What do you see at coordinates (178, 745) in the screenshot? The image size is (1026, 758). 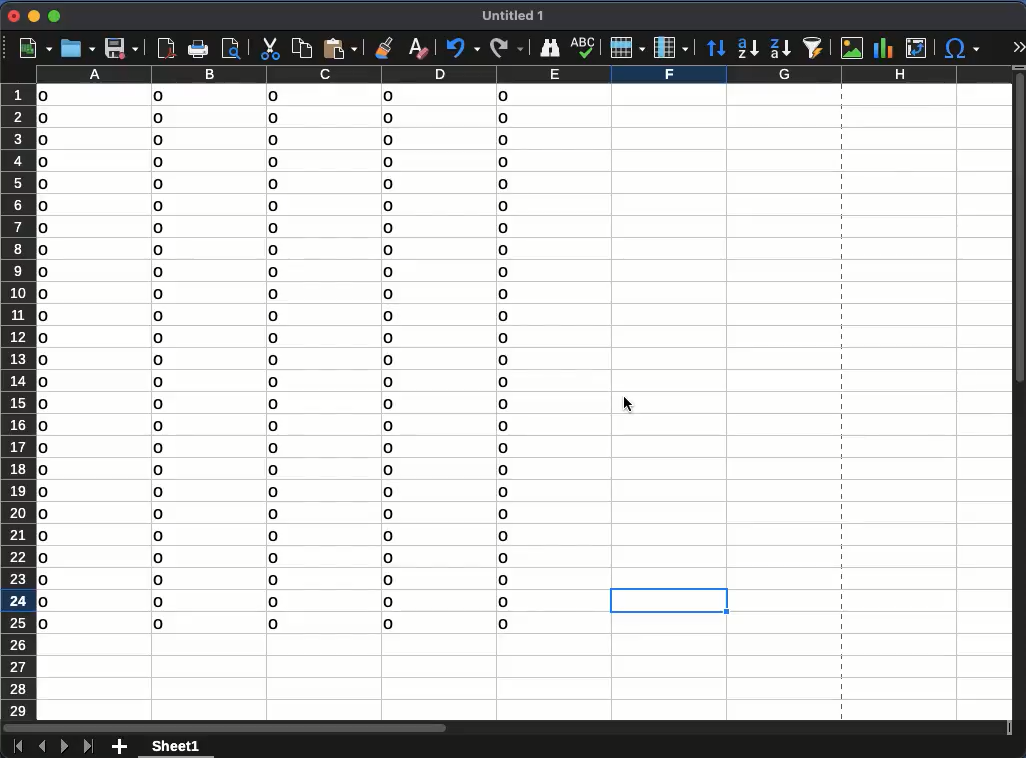 I see `sheet` at bounding box center [178, 745].